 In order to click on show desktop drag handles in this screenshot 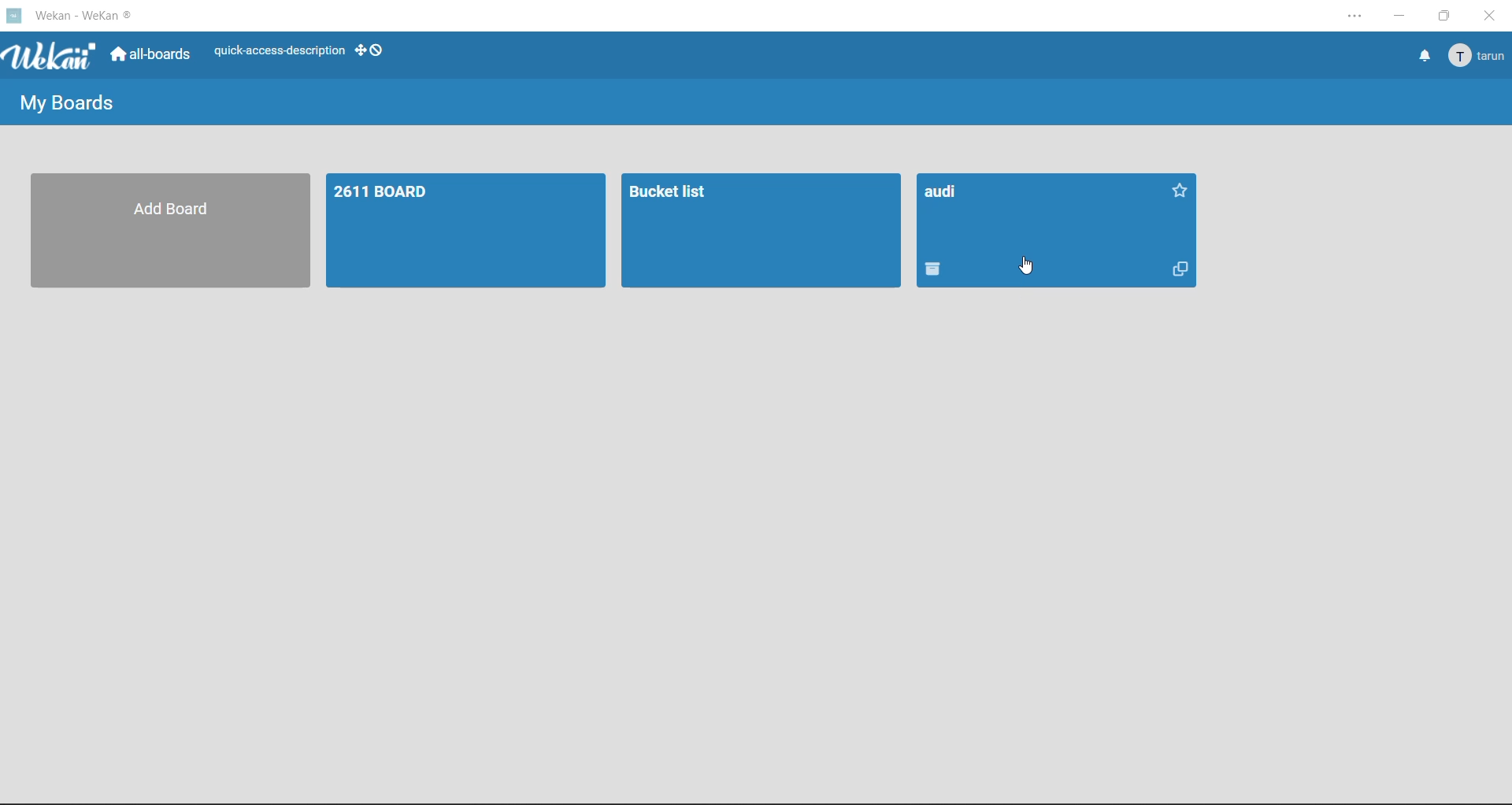, I will do `click(373, 54)`.